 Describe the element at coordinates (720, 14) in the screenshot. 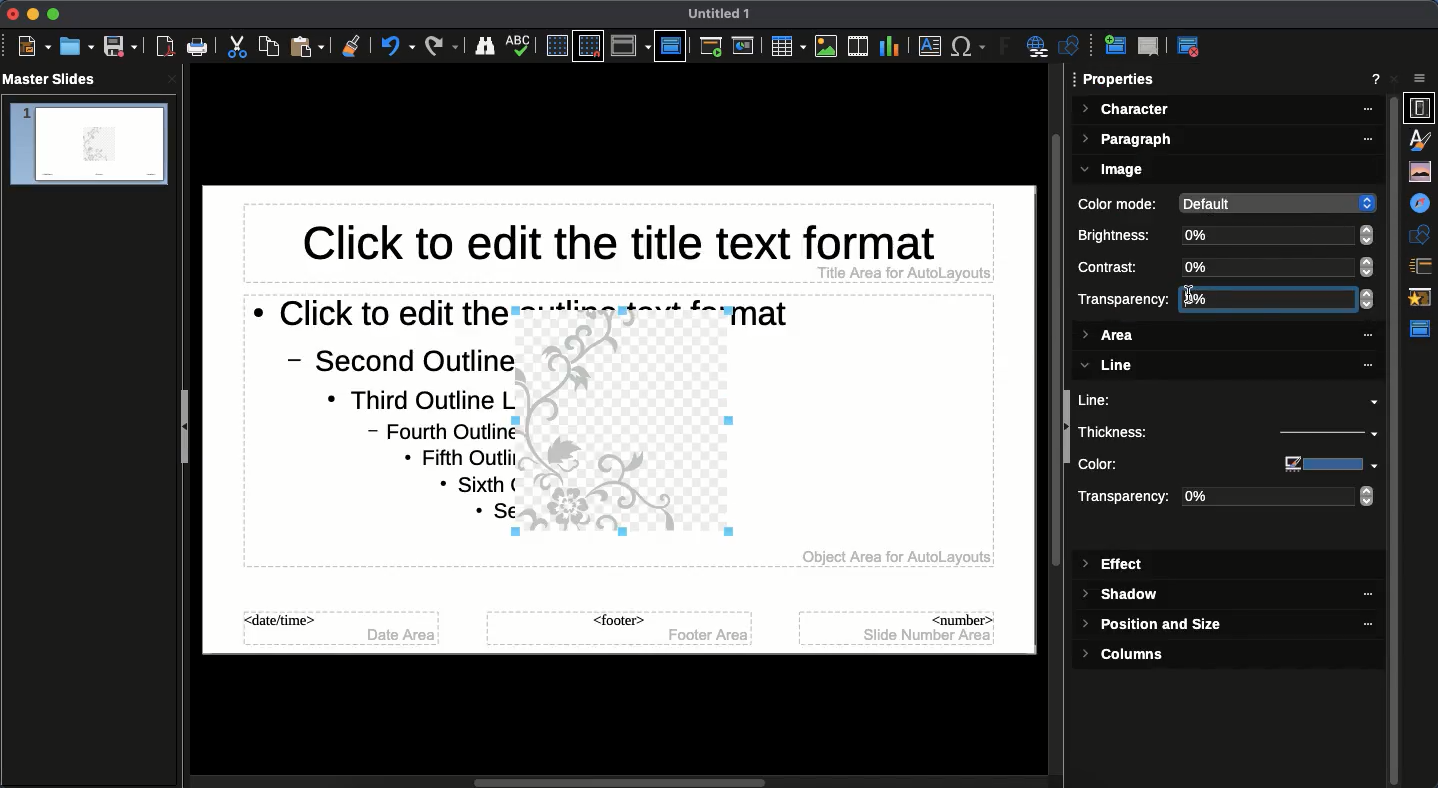

I see `Untitled` at that location.